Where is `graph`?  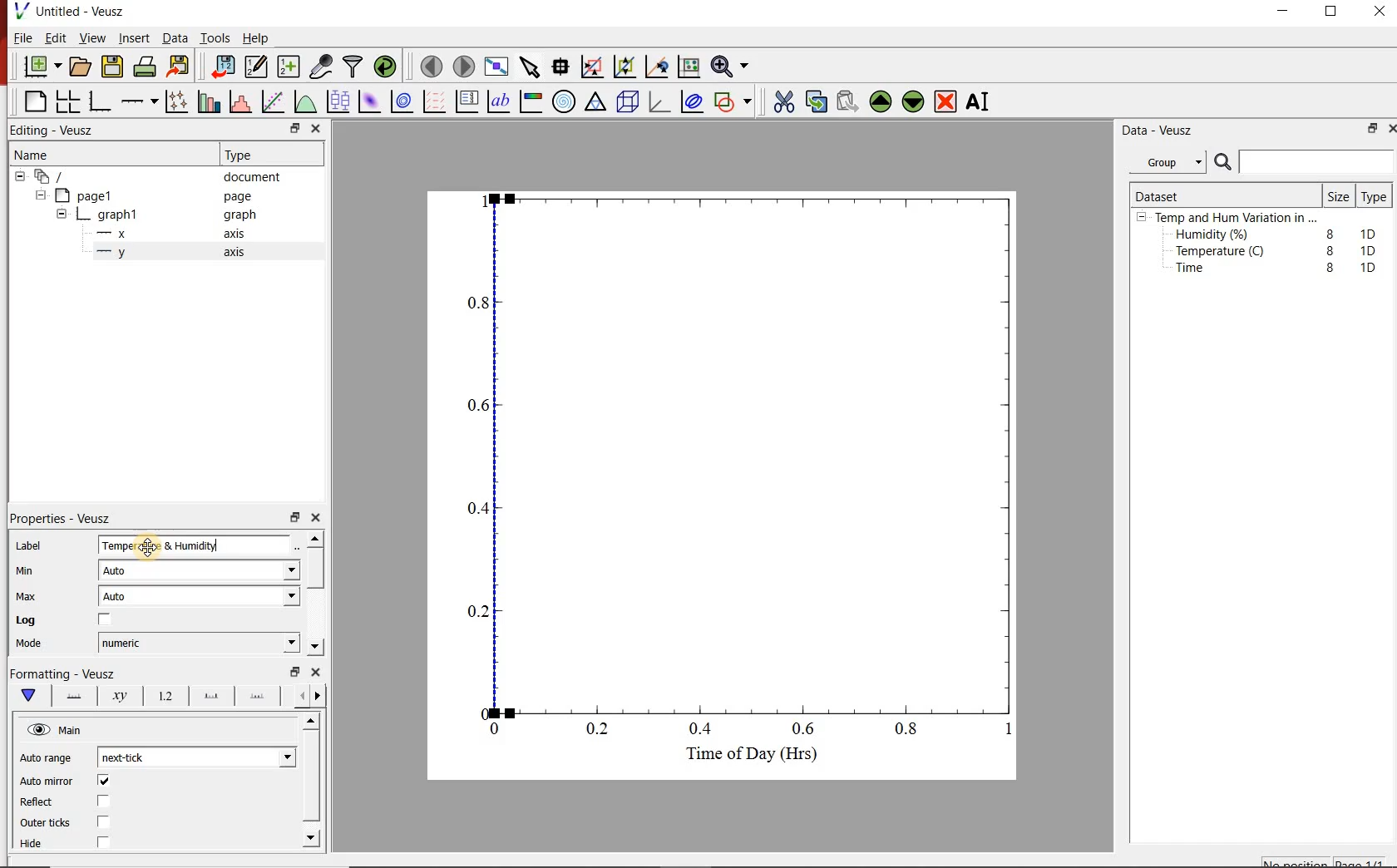
graph is located at coordinates (119, 214).